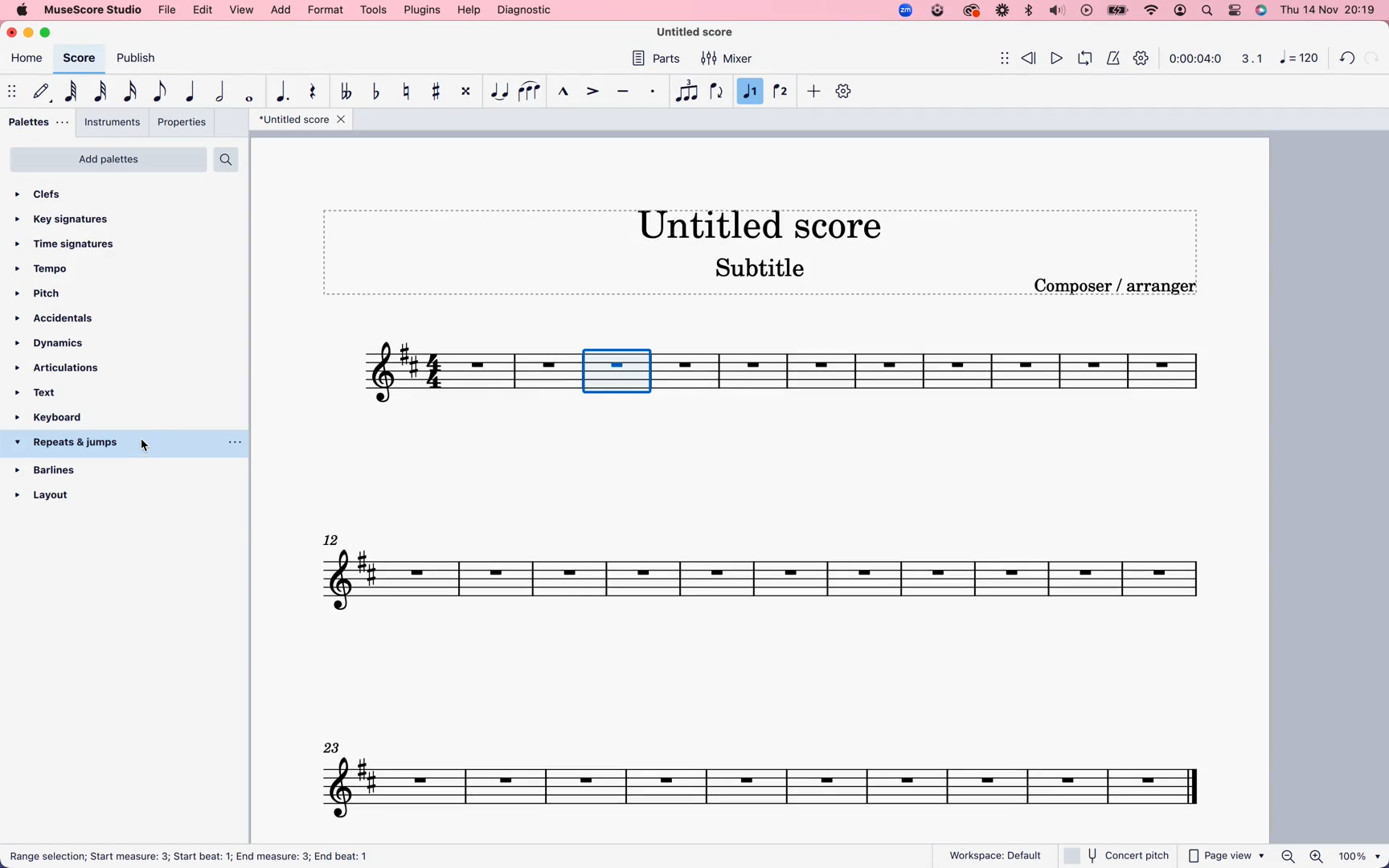 The image size is (1389, 868). I want to click on text, so click(51, 391).